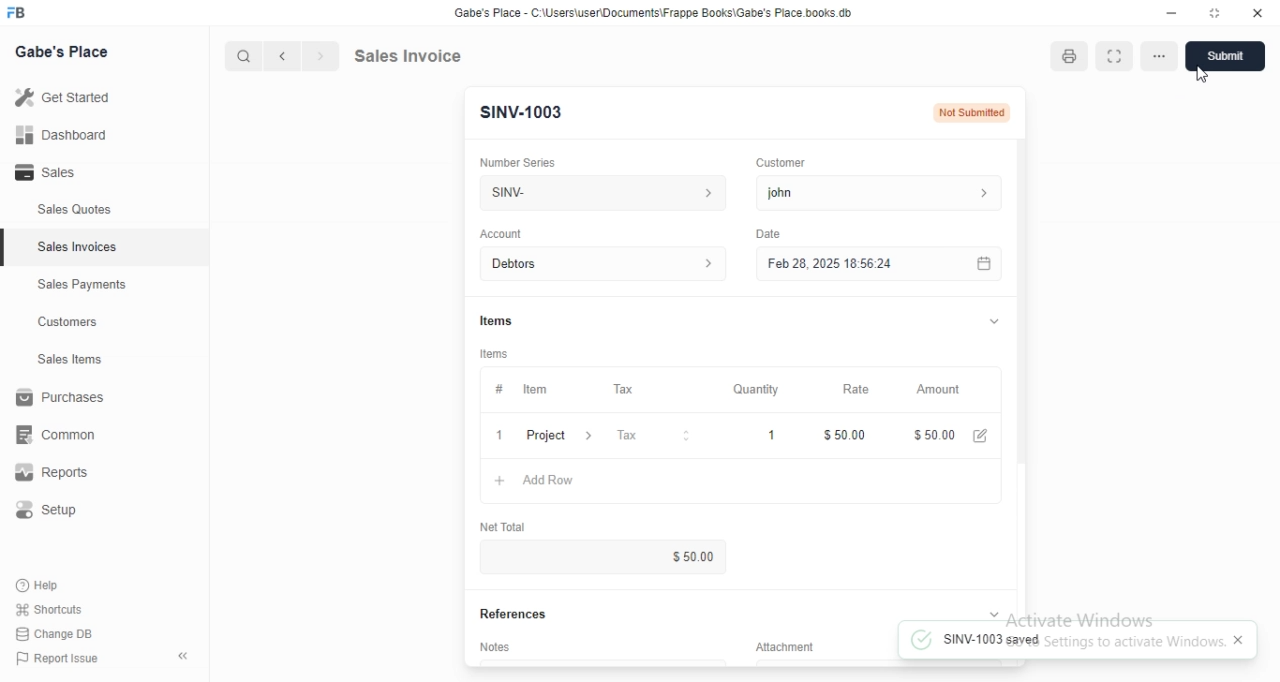 This screenshot has height=682, width=1280. I want to click on expand, so click(1113, 56).